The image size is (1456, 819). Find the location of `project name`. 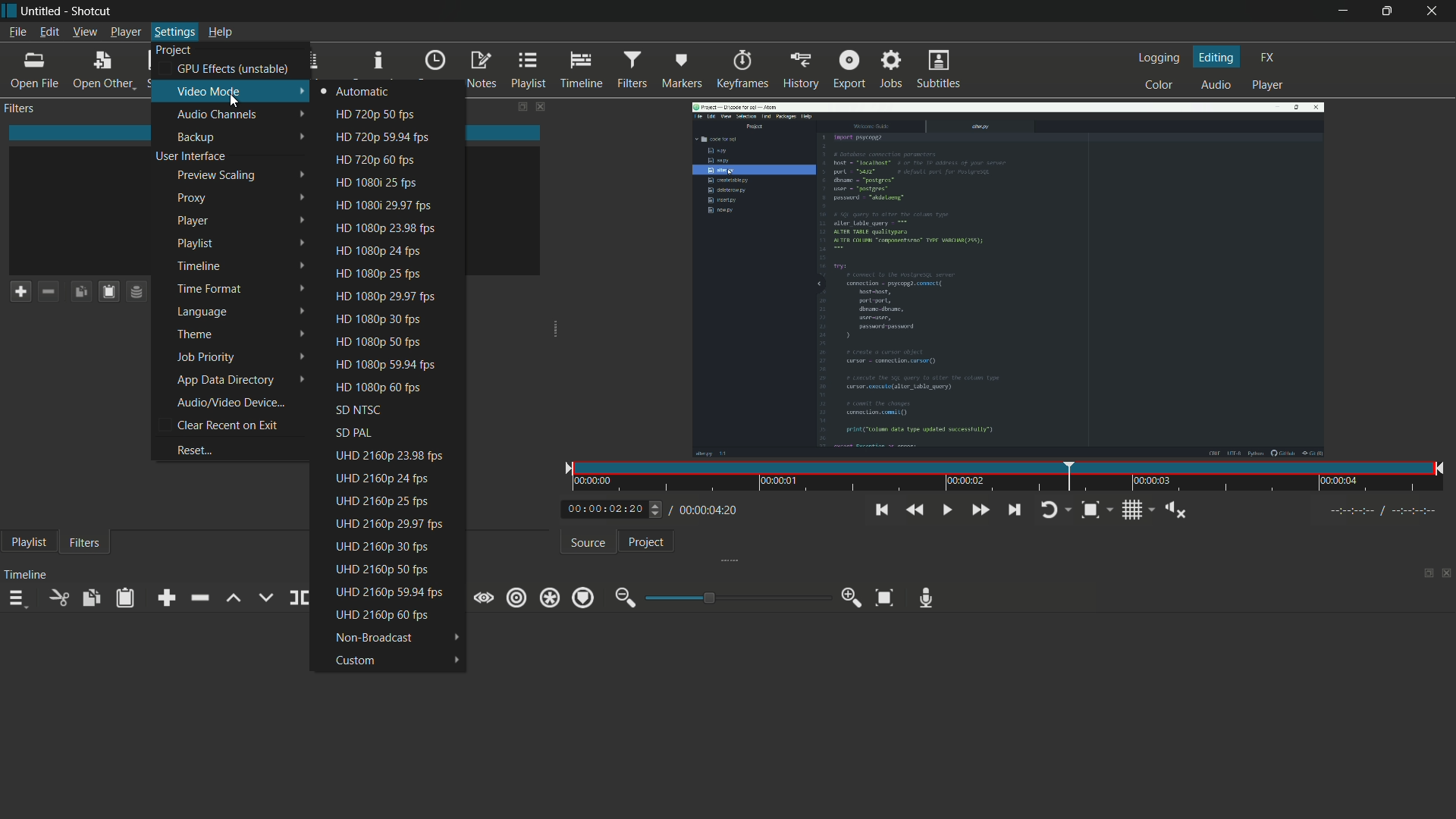

project name is located at coordinates (43, 11).